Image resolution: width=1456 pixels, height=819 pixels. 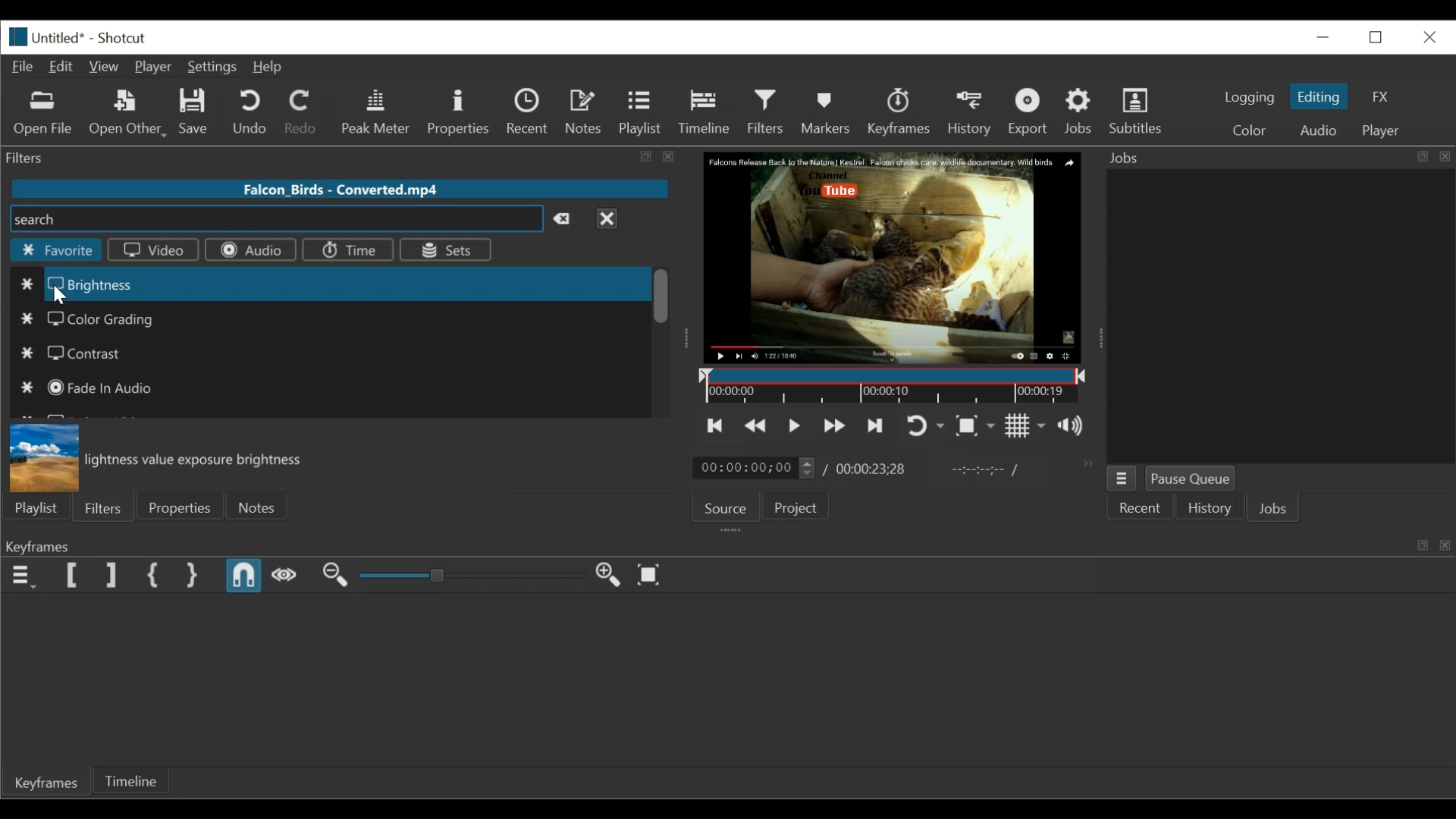 I want to click on Total Duration, so click(x=871, y=469).